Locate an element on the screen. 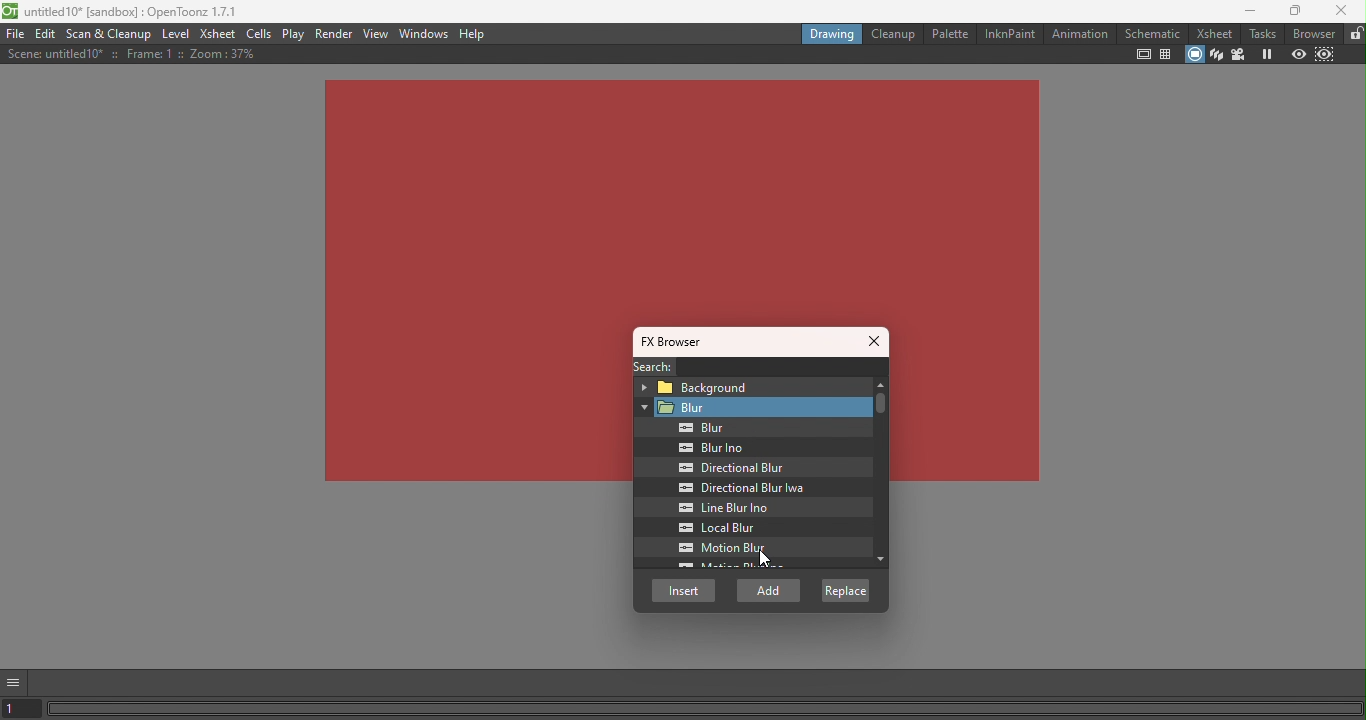 The image size is (1366, 720). Help is located at coordinates (472, 34).